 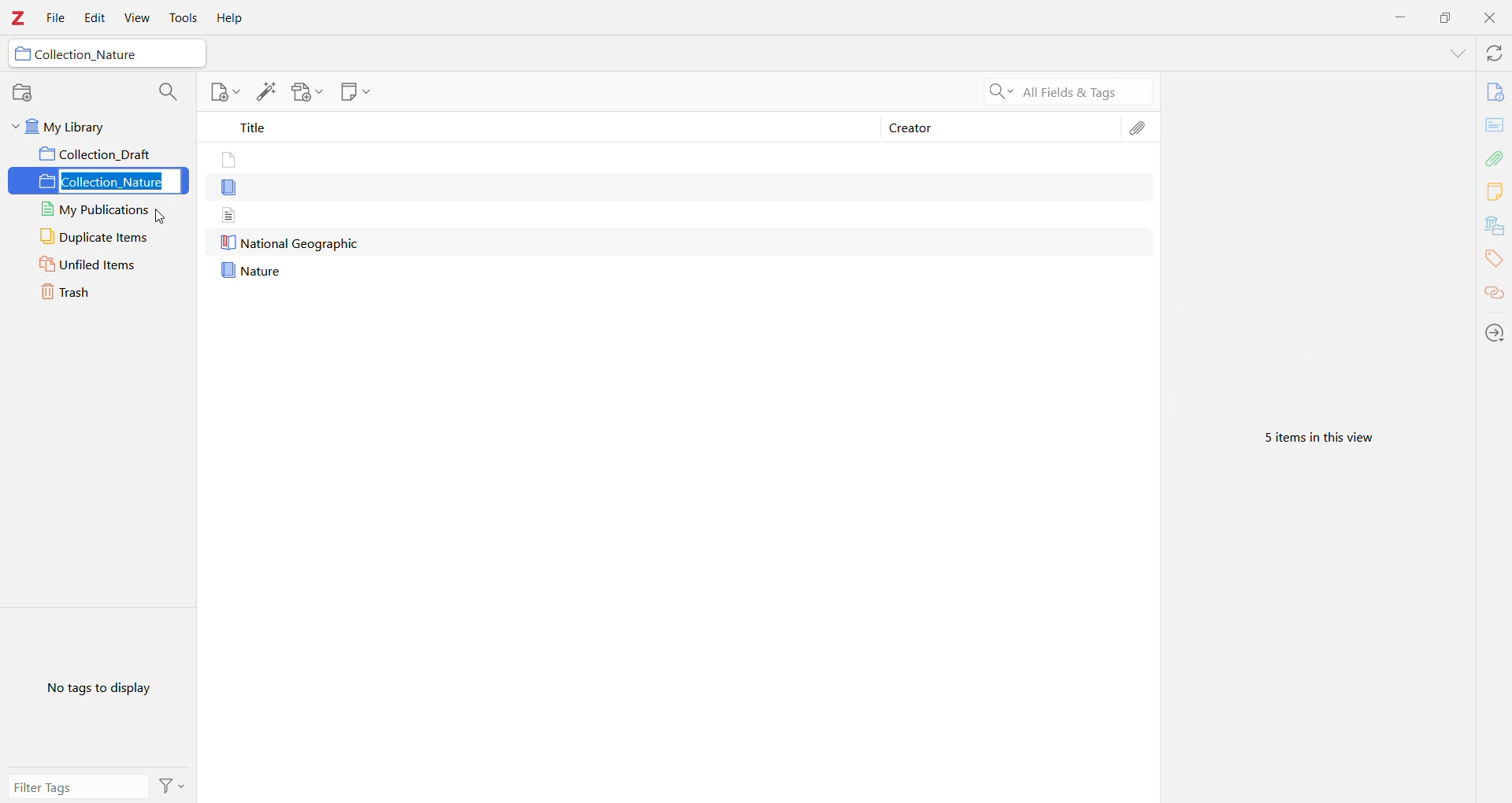 What do you see at coordinates (228, 159) in the screenshot?
I see `files` at bounding box center [228, 159].